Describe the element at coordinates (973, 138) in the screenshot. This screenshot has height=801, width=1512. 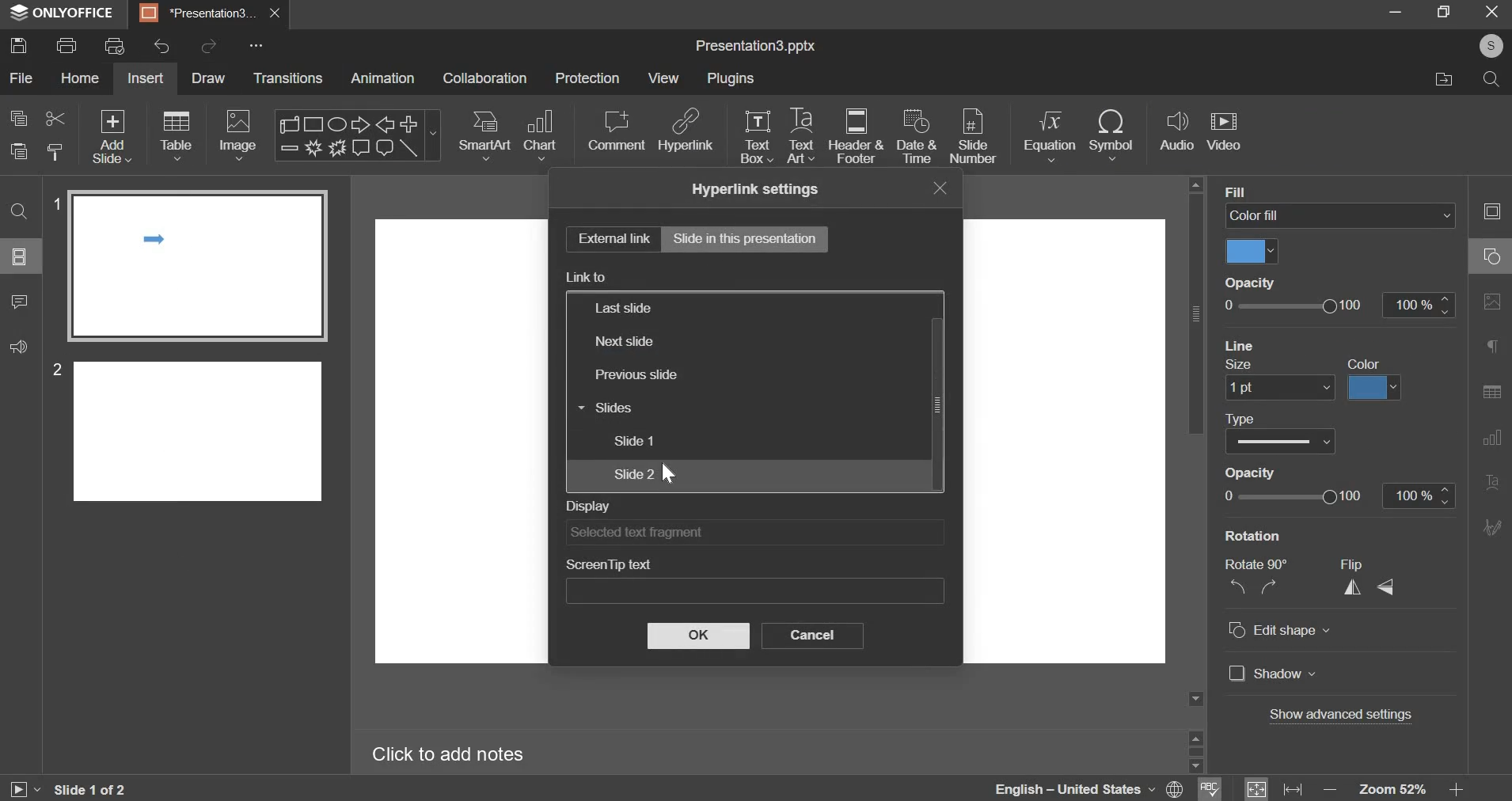
I see `slide number` at that location.